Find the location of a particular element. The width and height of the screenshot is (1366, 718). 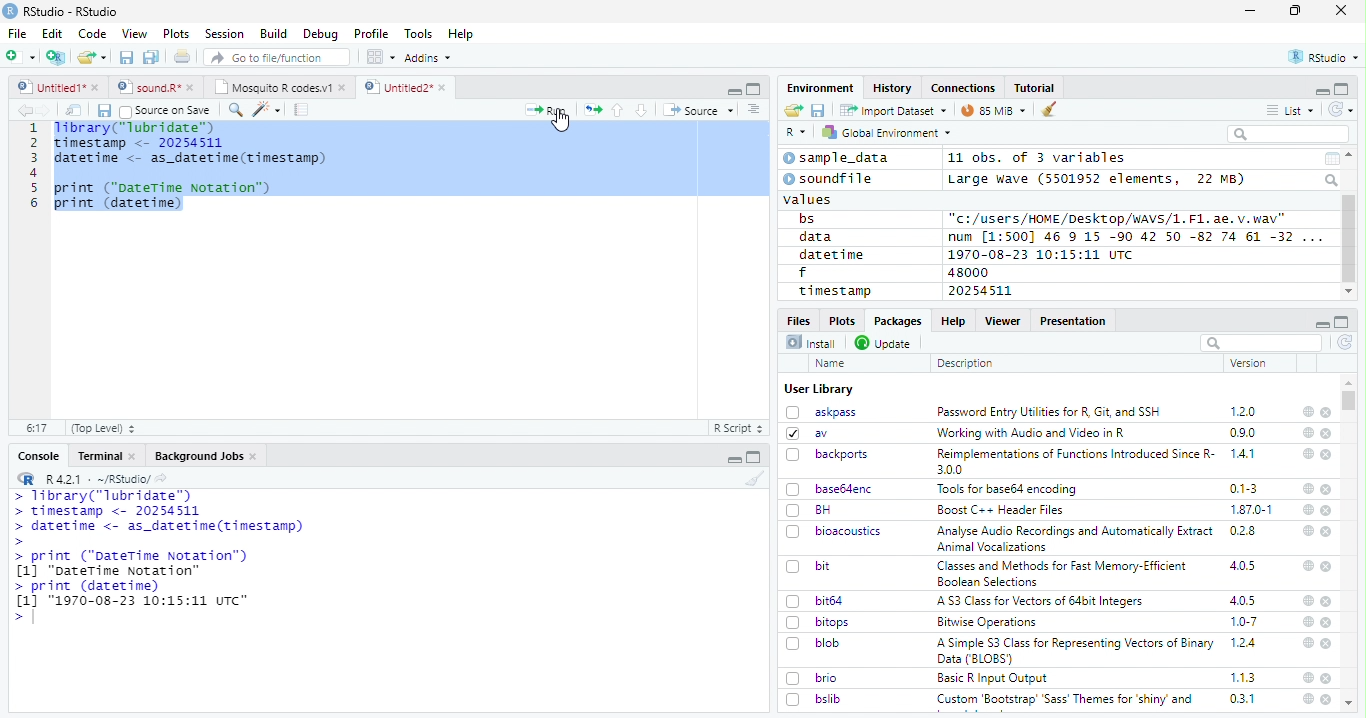

Basic R Input Output is located at coordinates (995, 678).